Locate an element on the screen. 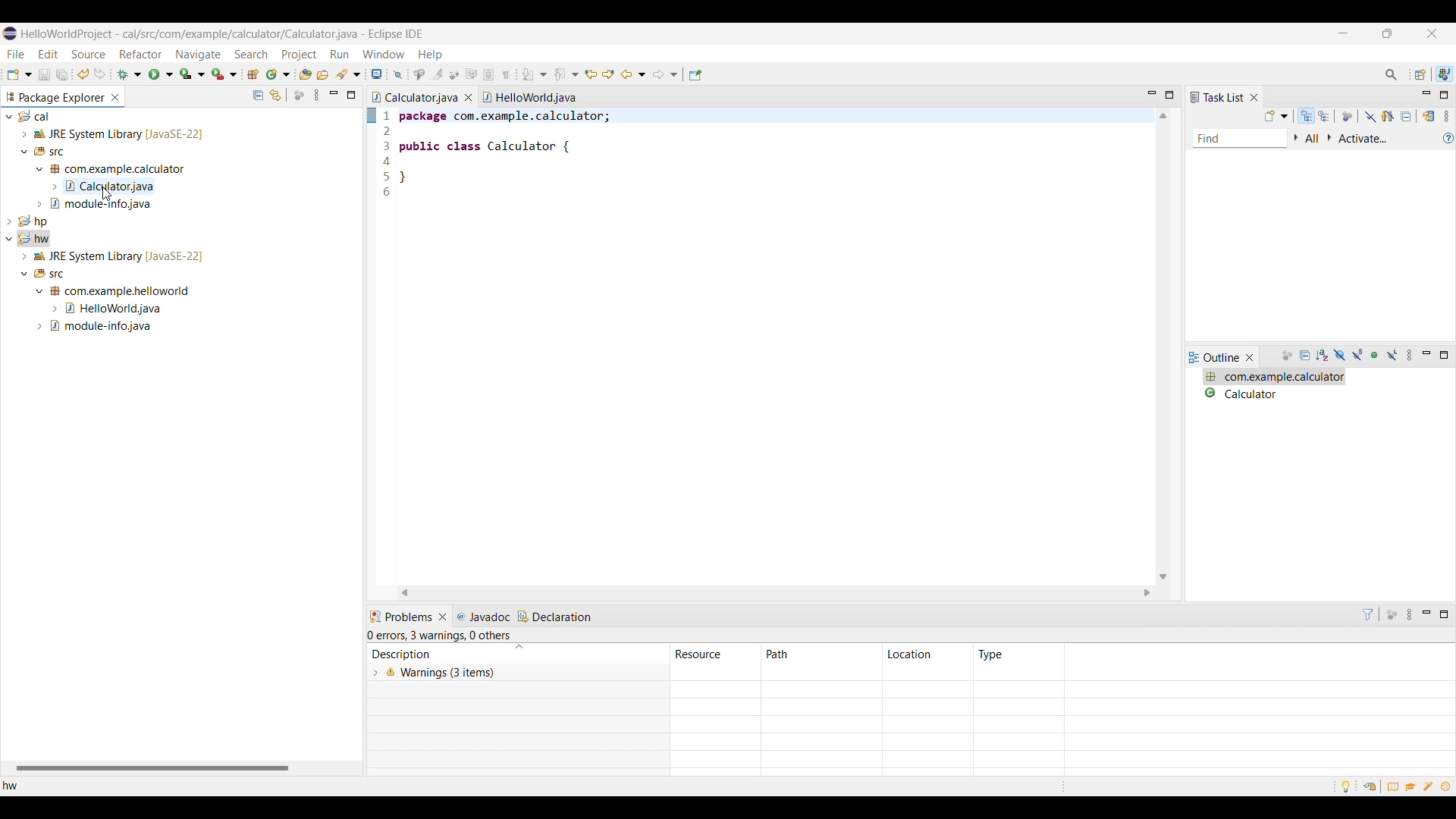 This screenshot has height=819, width=1456. Open a terminal is located at coordinates (377, 74).